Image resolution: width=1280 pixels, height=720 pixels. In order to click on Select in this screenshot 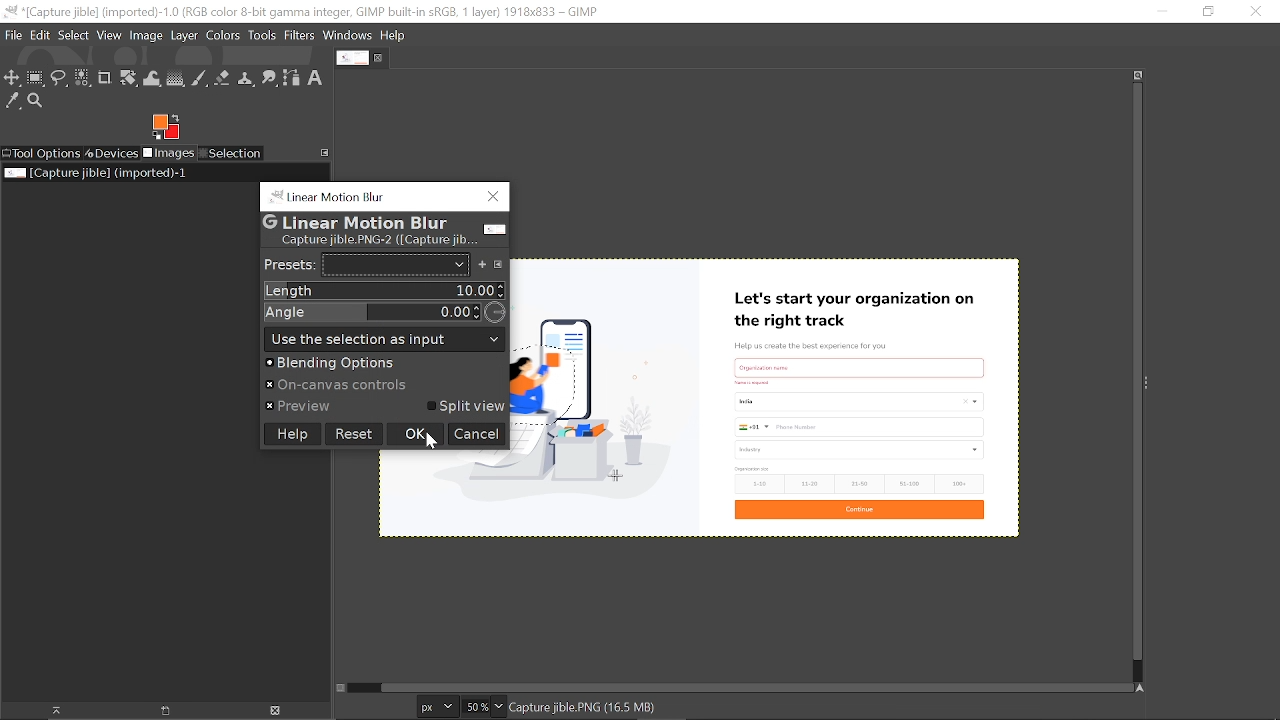, I will do `click(74, 35)`.